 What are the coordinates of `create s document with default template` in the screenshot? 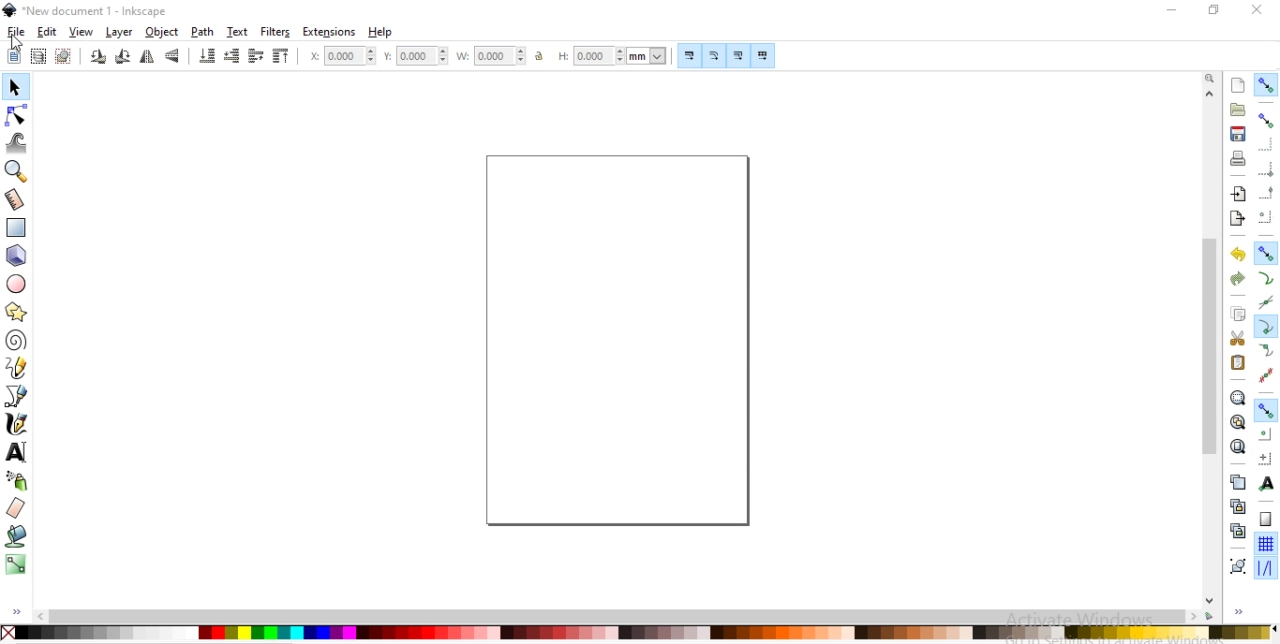 It's located at (1239, 84).